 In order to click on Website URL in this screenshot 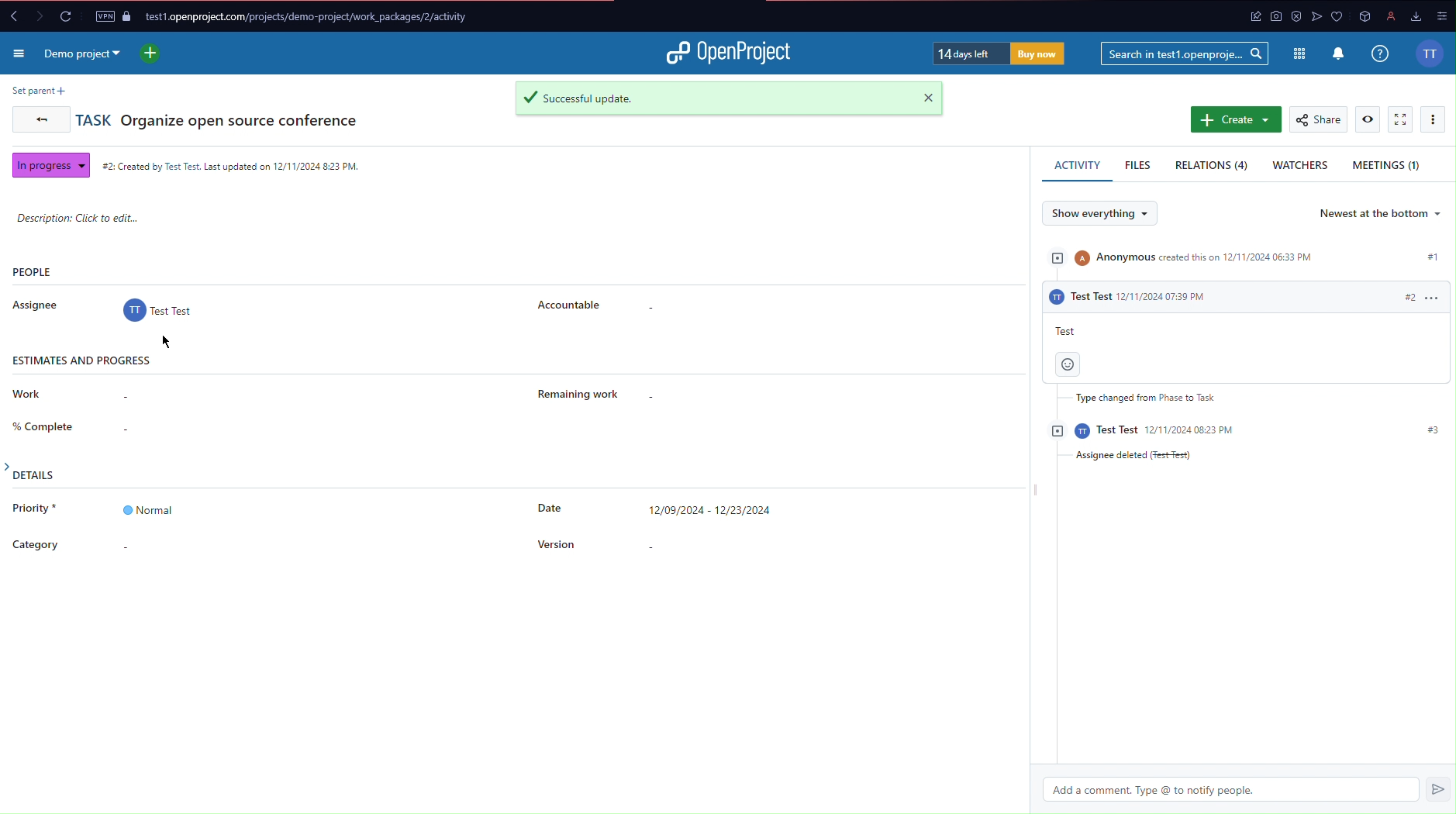, I will do `click(314, 18)`.